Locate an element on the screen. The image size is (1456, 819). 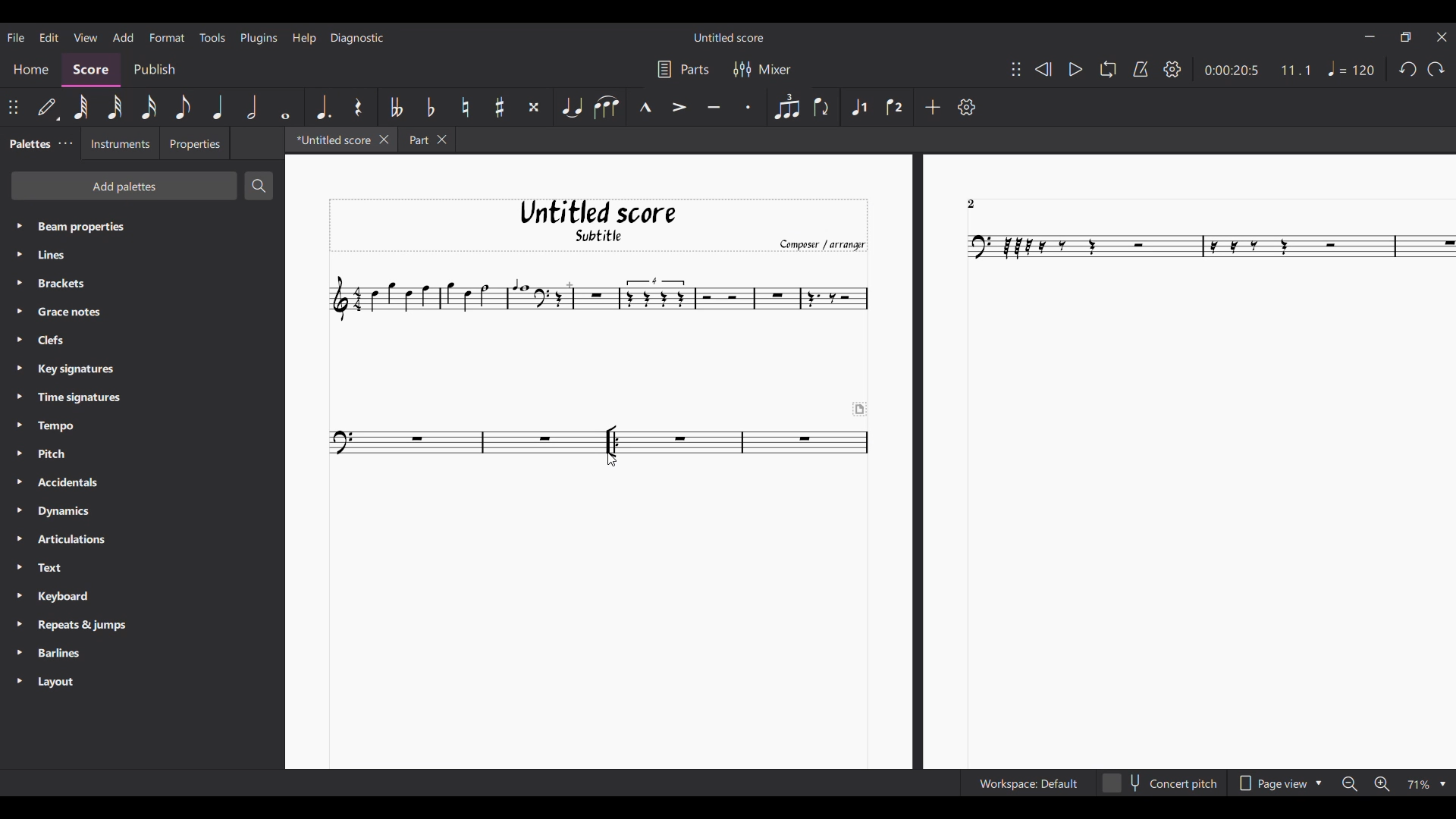
Toggle sharp is located at coordinates (499, 107).